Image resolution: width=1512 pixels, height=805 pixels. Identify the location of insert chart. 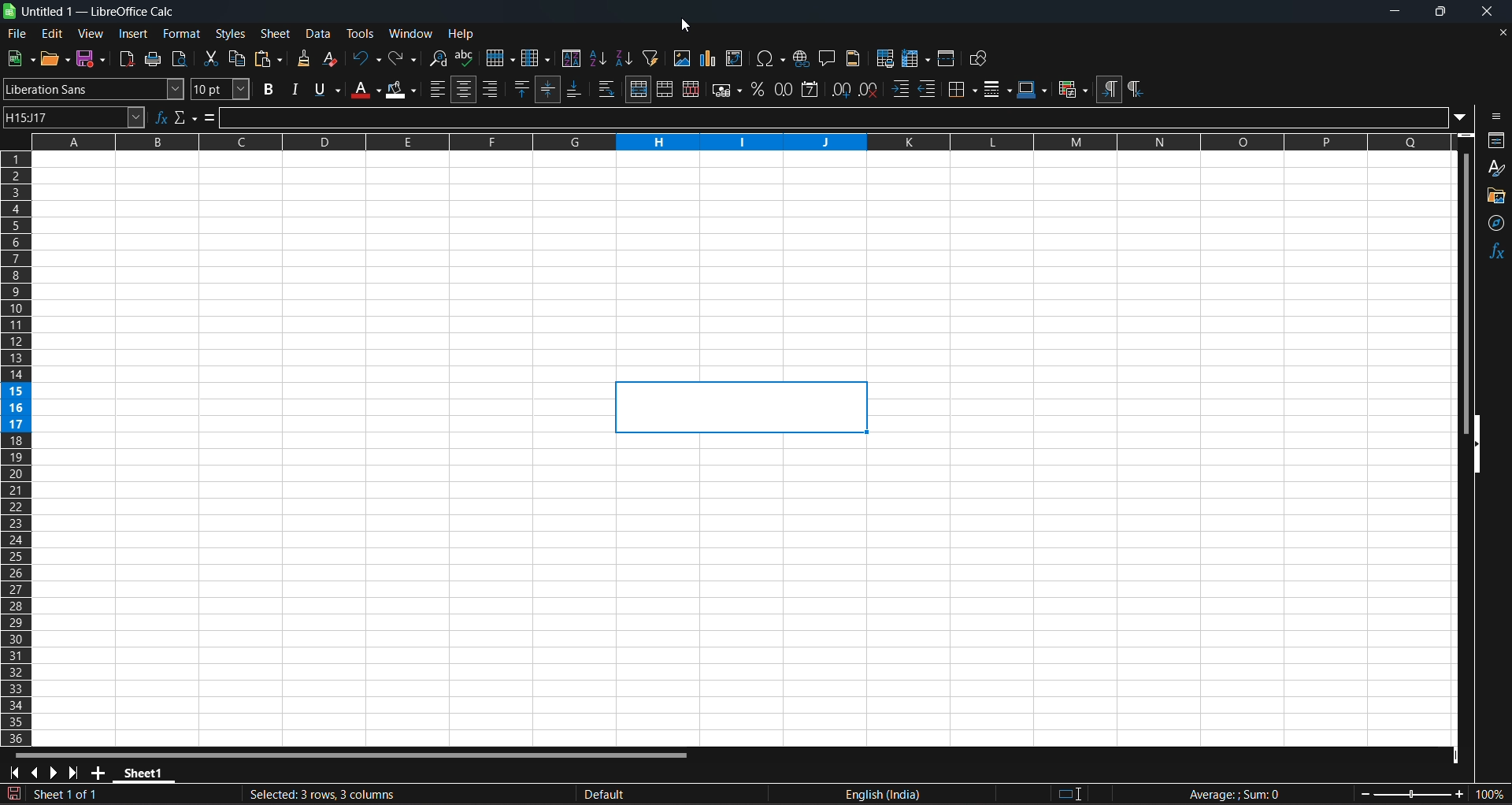
(710, 57).